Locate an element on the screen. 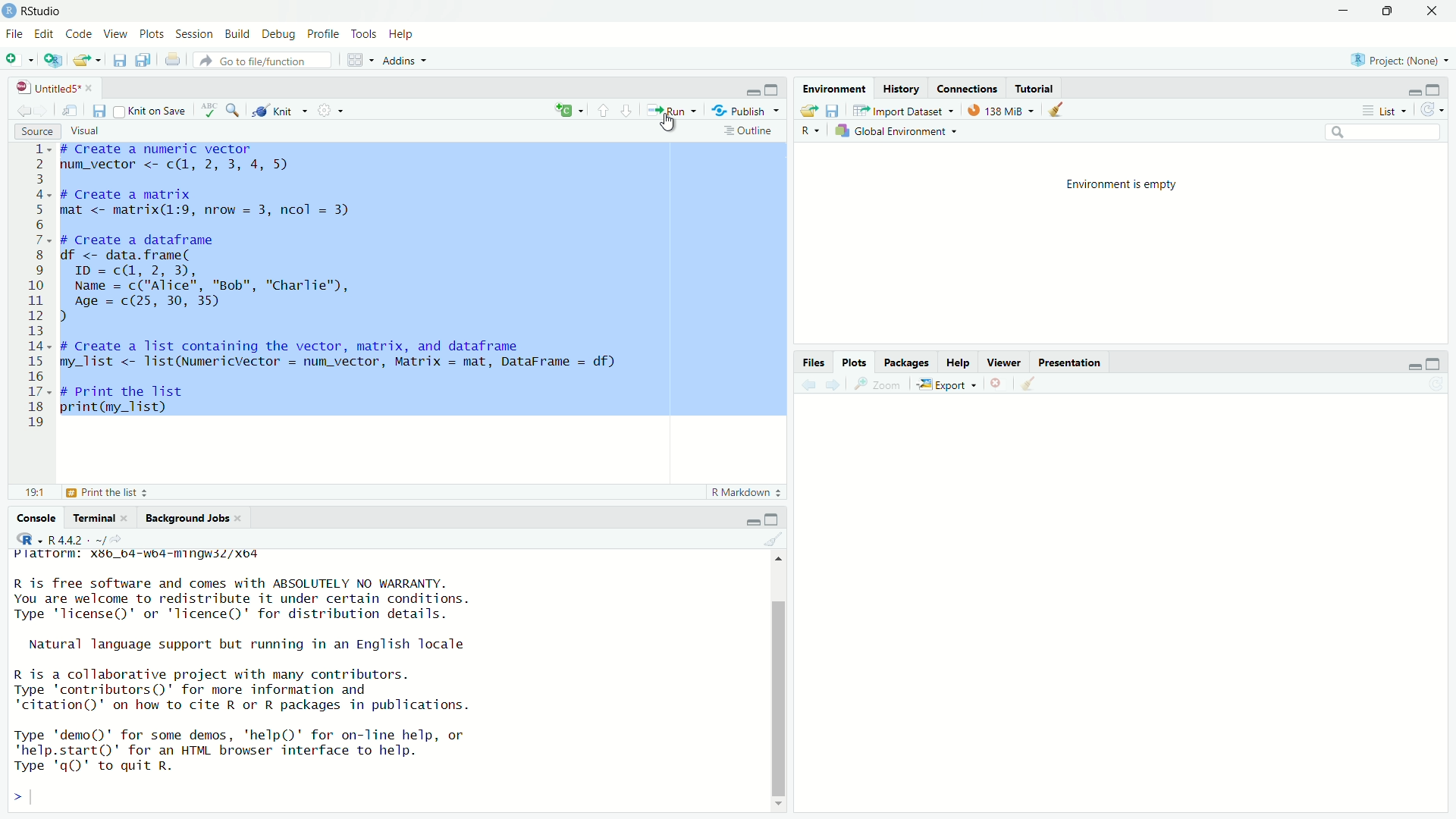  R~ is located at coordinates (811, 129).